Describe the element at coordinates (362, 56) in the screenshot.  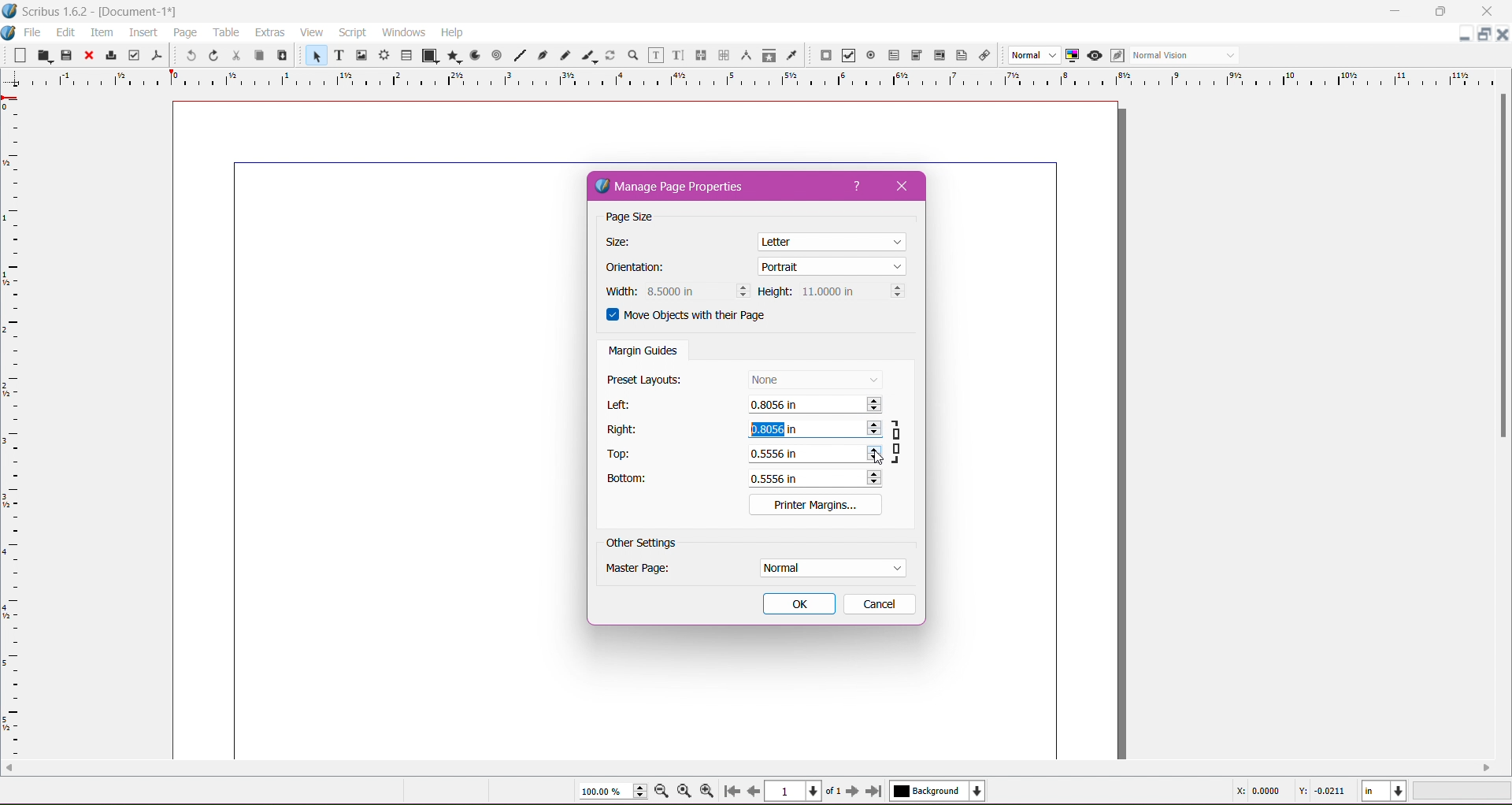
I see `Image Frame` at that location.